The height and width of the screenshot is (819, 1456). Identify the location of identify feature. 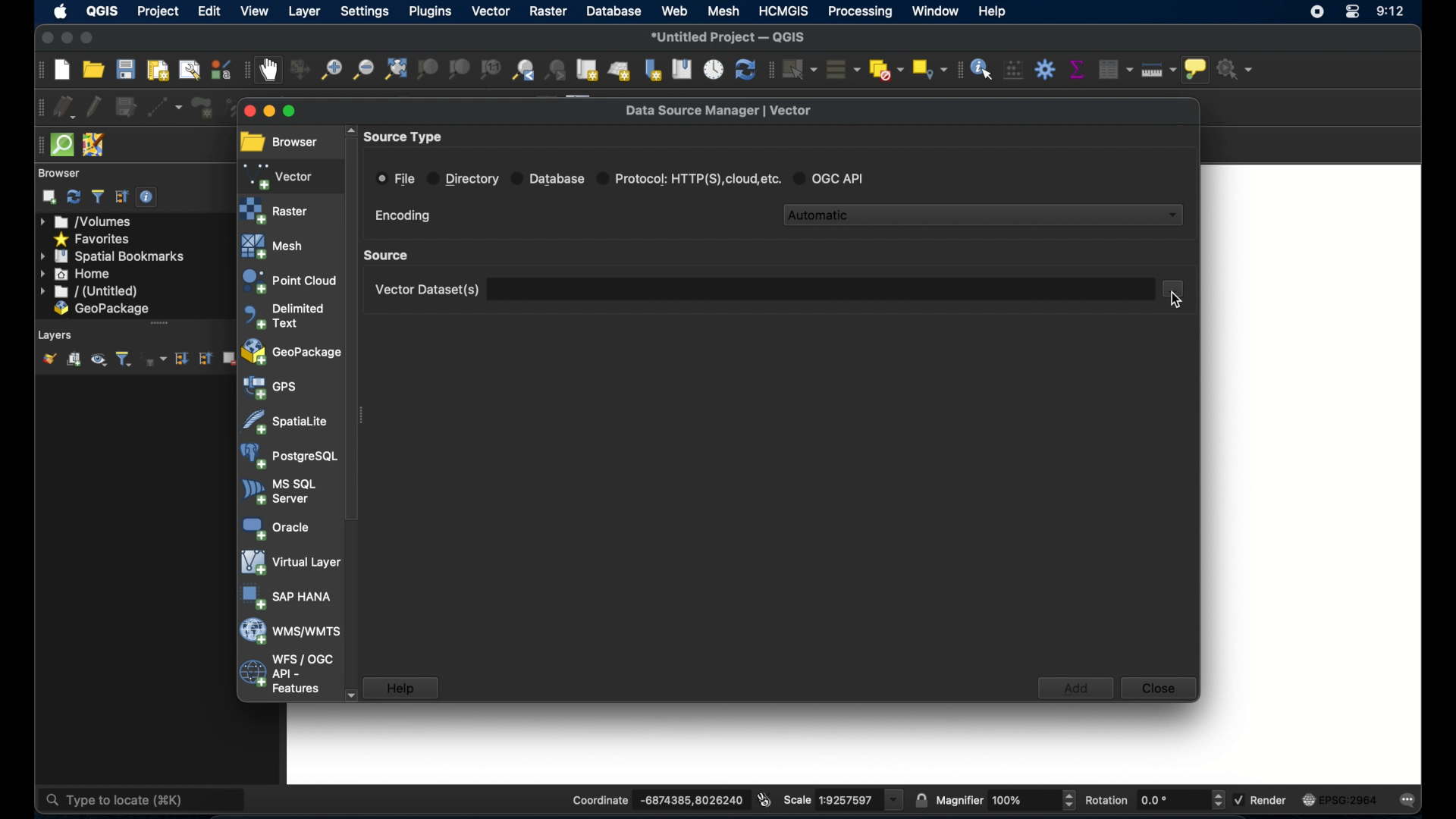
(981, 69).